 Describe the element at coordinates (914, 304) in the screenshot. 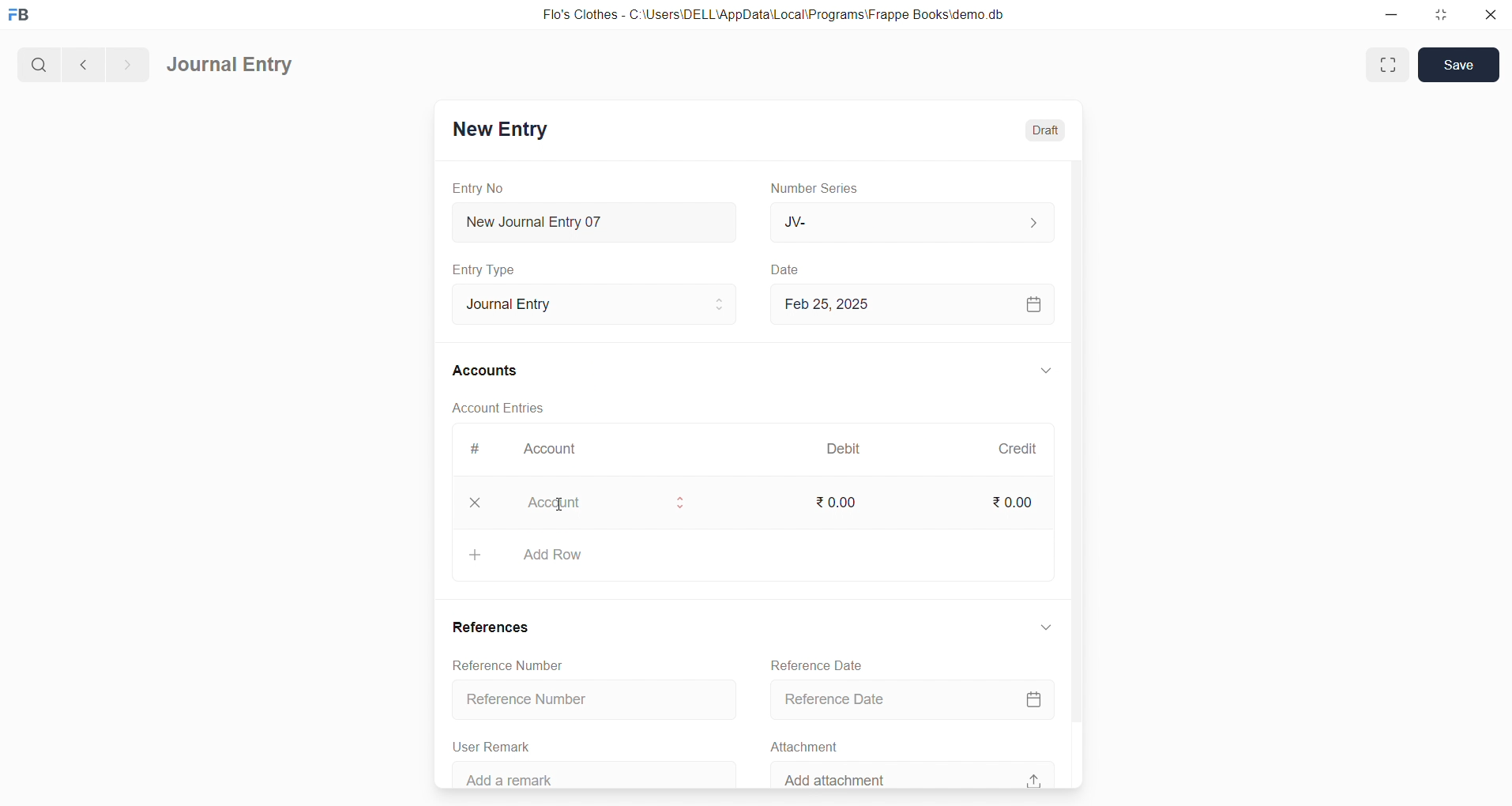

I see `Feb 25, 2025` at that location.